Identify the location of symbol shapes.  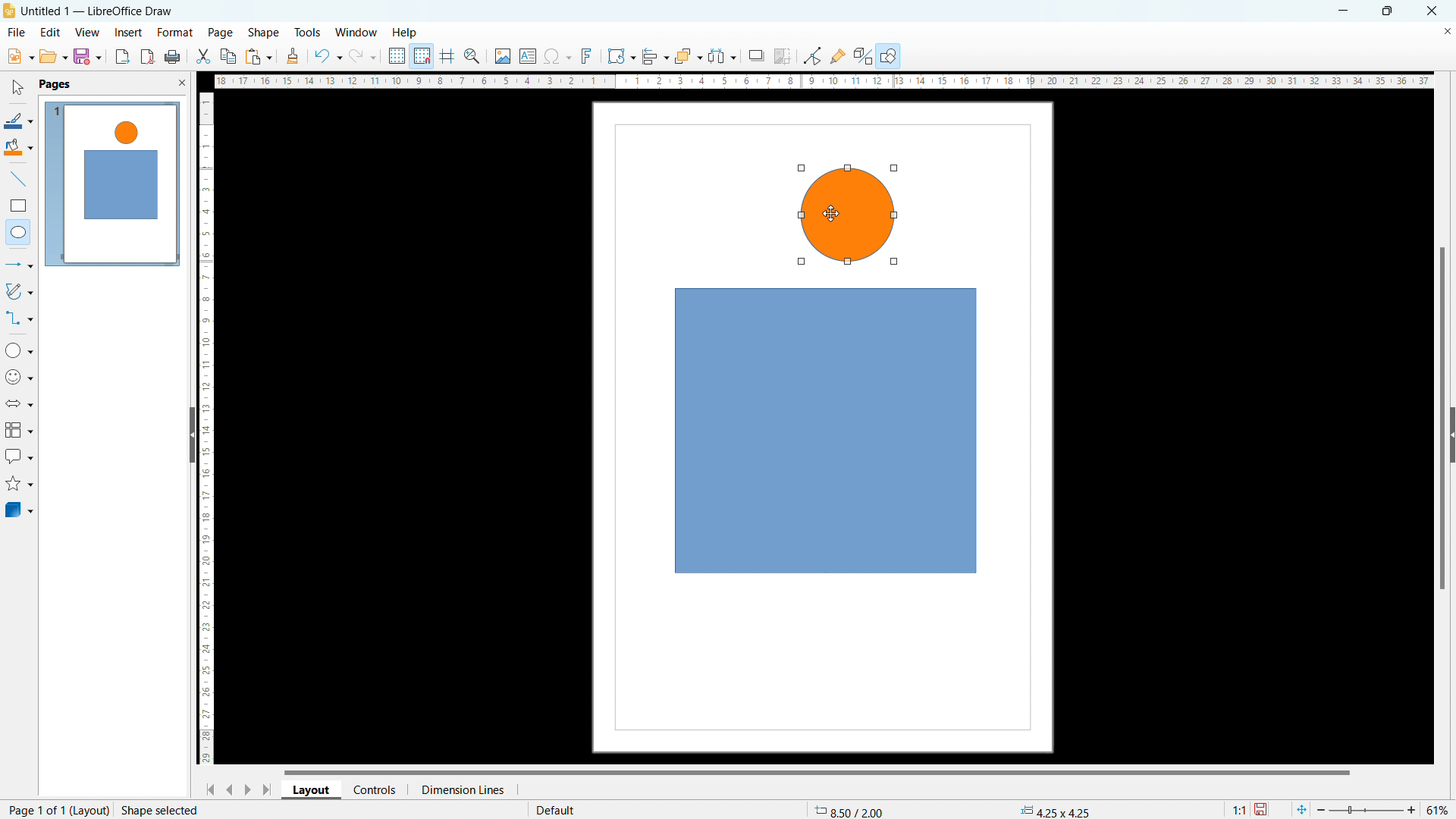
(20, 377).